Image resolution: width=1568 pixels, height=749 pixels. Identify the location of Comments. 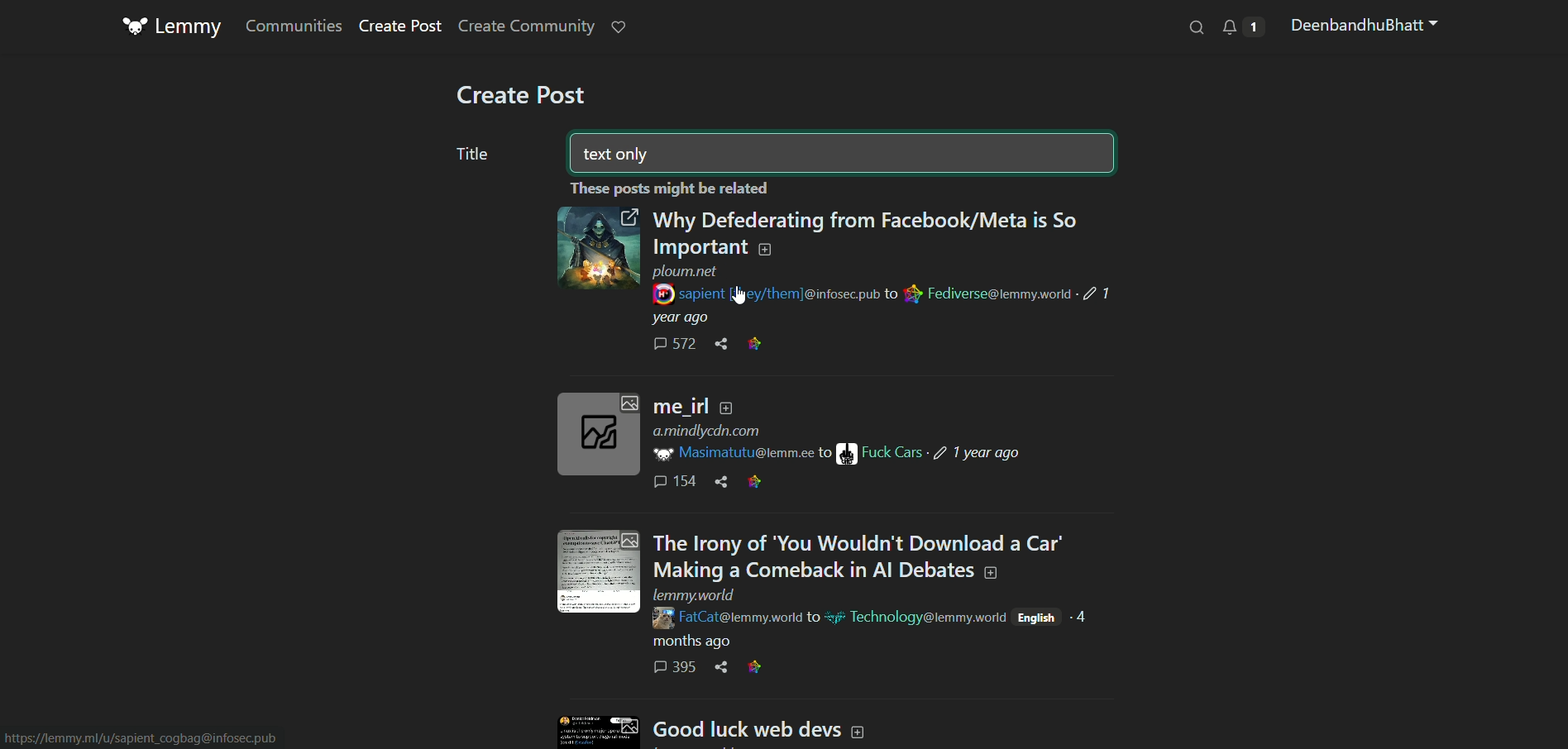
(674, 667).